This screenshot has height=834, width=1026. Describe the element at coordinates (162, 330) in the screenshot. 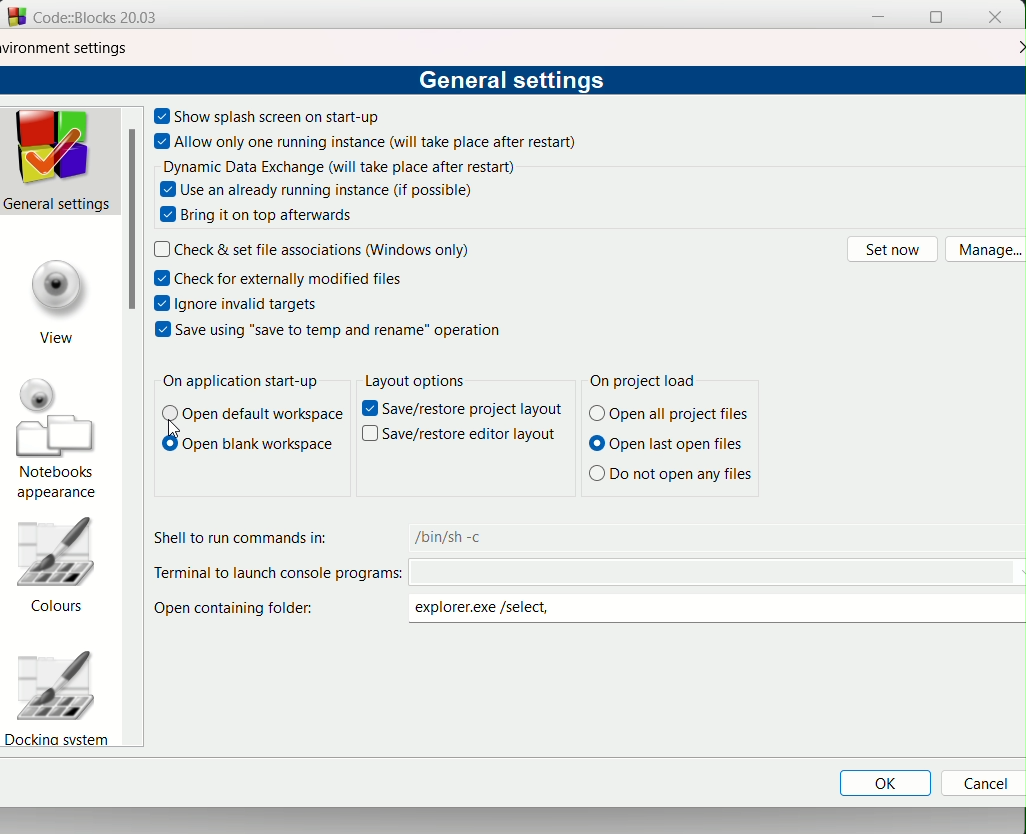

I see `checkbox` at that location.